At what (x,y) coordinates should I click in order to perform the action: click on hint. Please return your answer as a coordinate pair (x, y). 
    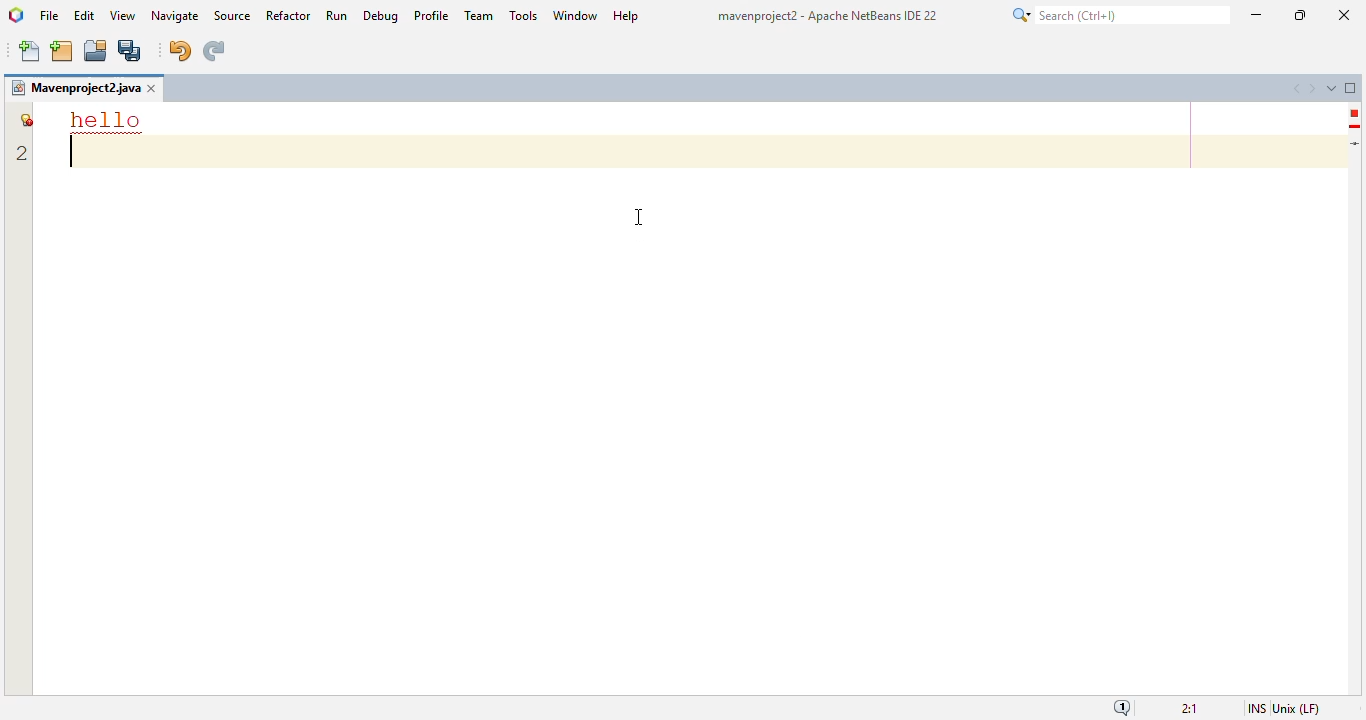
    Looking at the image, I should click on (1355, 127).